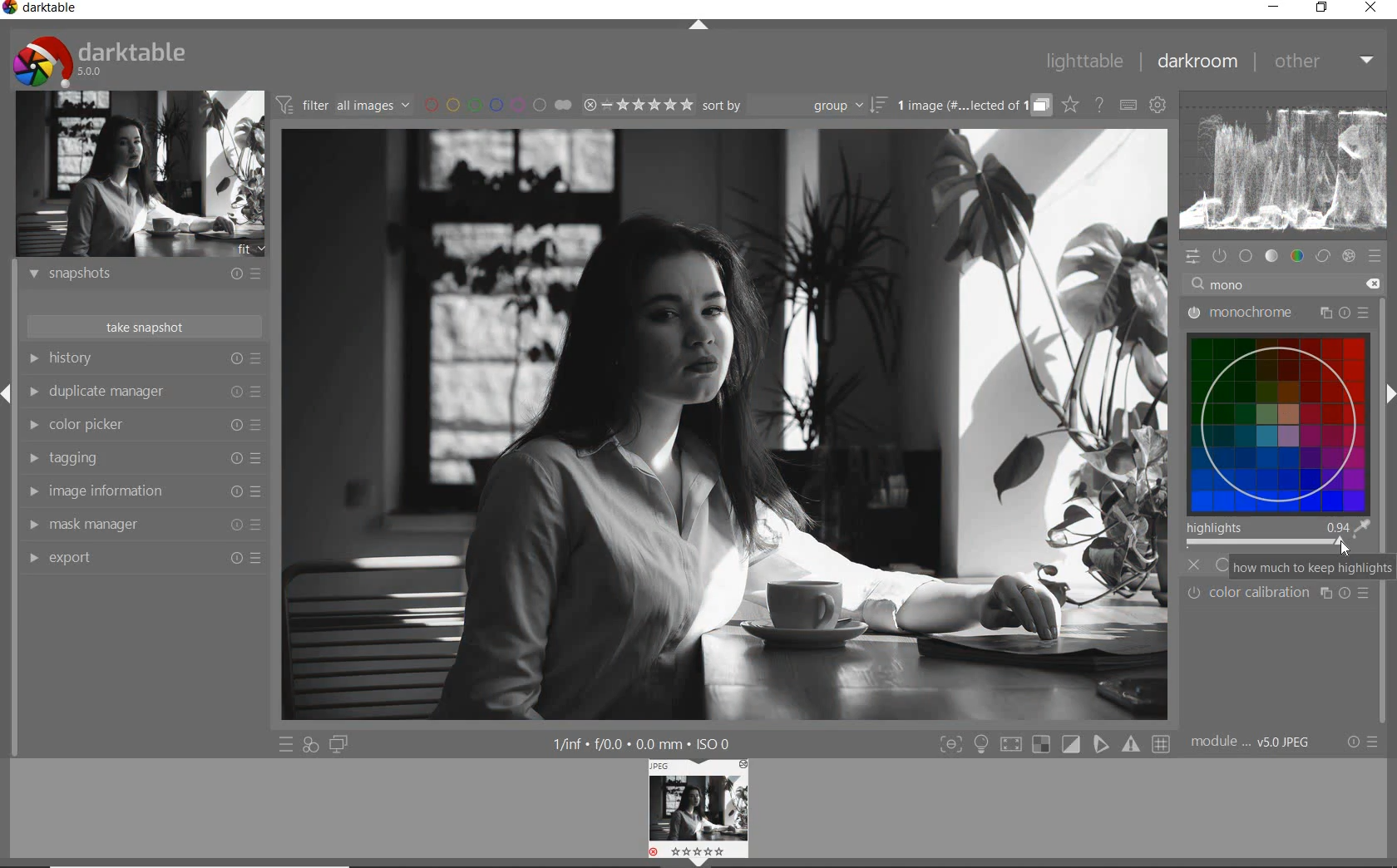 This screenshot has width=1397, height=868. Describe the element at coordinates (342, 106) in the screenshot. I see `filter all images by module order` at that location.